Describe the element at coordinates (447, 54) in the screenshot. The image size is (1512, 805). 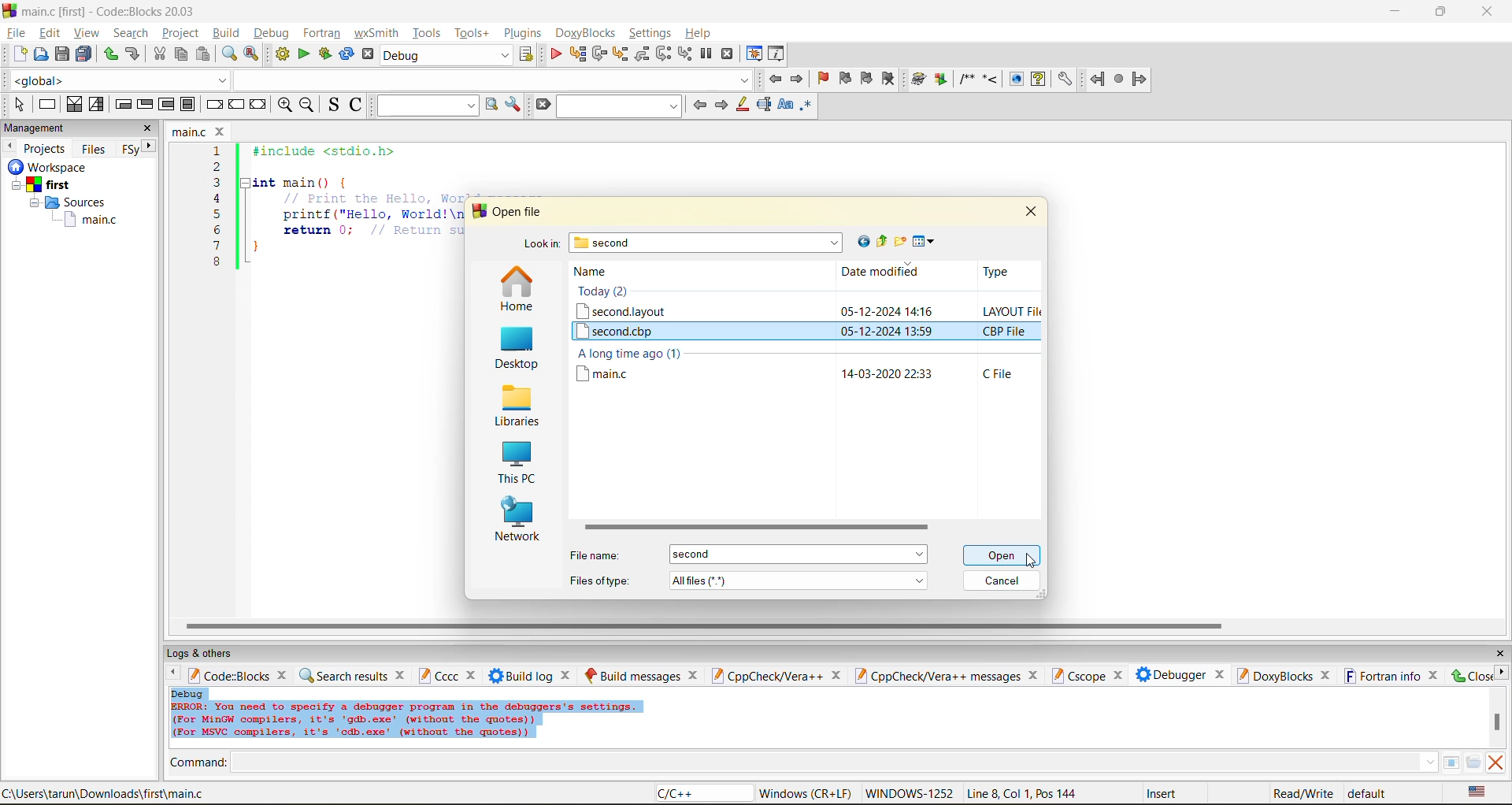
I see `build target` at that location.